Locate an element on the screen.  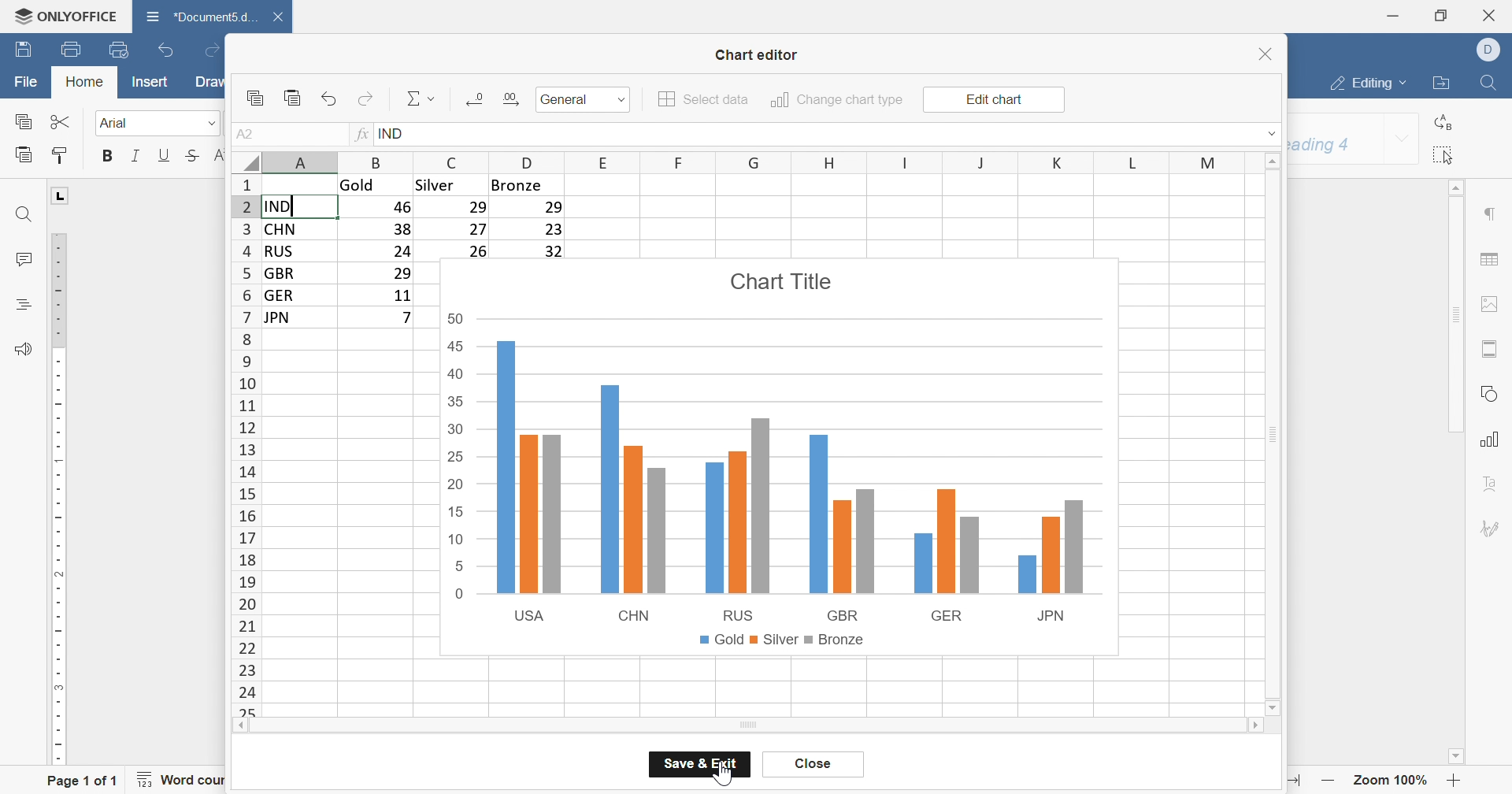
zoom out is located at coordinates (1329, 781).